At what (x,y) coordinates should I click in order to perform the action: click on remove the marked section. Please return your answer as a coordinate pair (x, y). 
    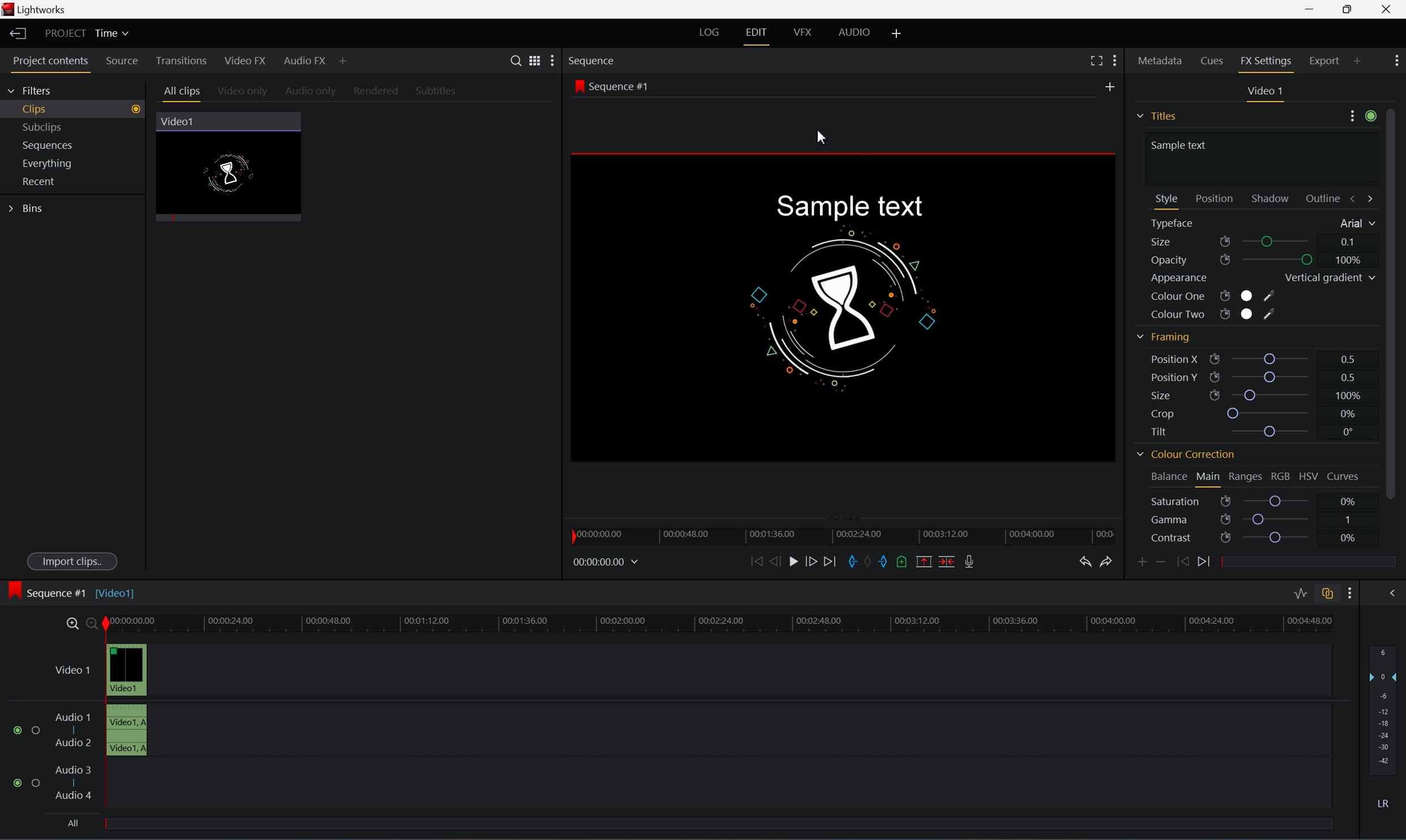
    Looking at the image, I should click on (922, 562).